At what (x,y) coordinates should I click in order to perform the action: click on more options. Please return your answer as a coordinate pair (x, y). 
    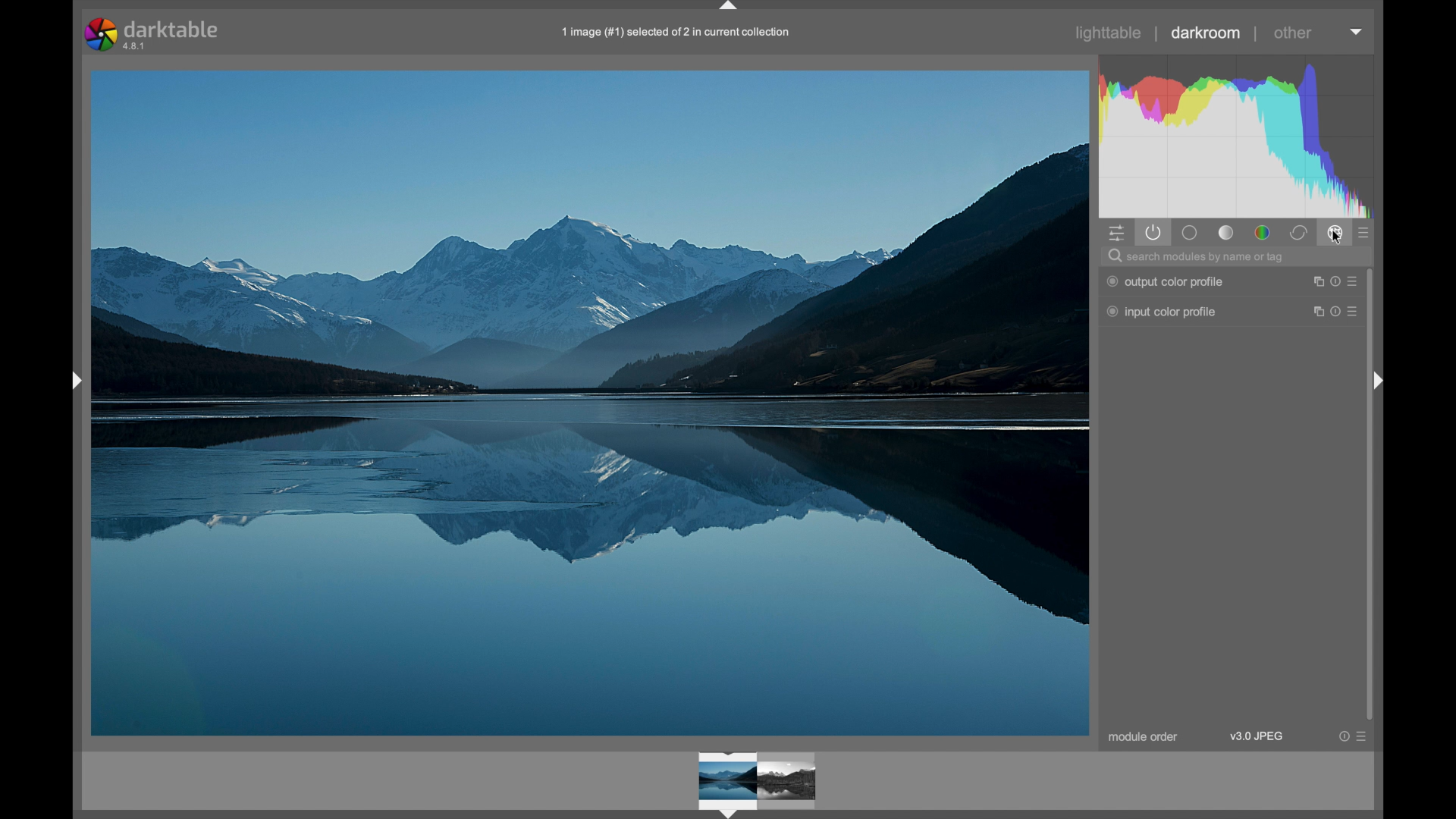
    Looking at the image, I should click on (1334, 281).